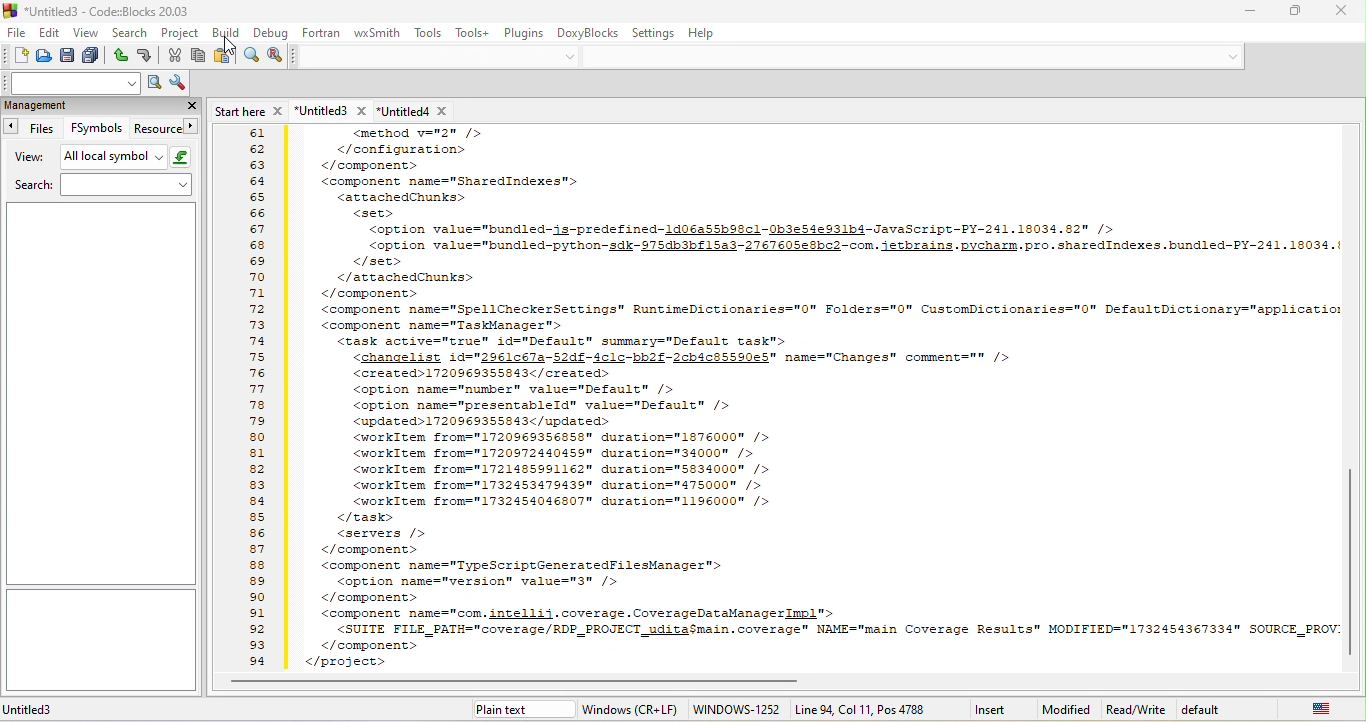 The height and width of the screenshot is (722, 1366). Describe the element at coordinates (270, 33) in the screenshot. I see `debug` at that location.